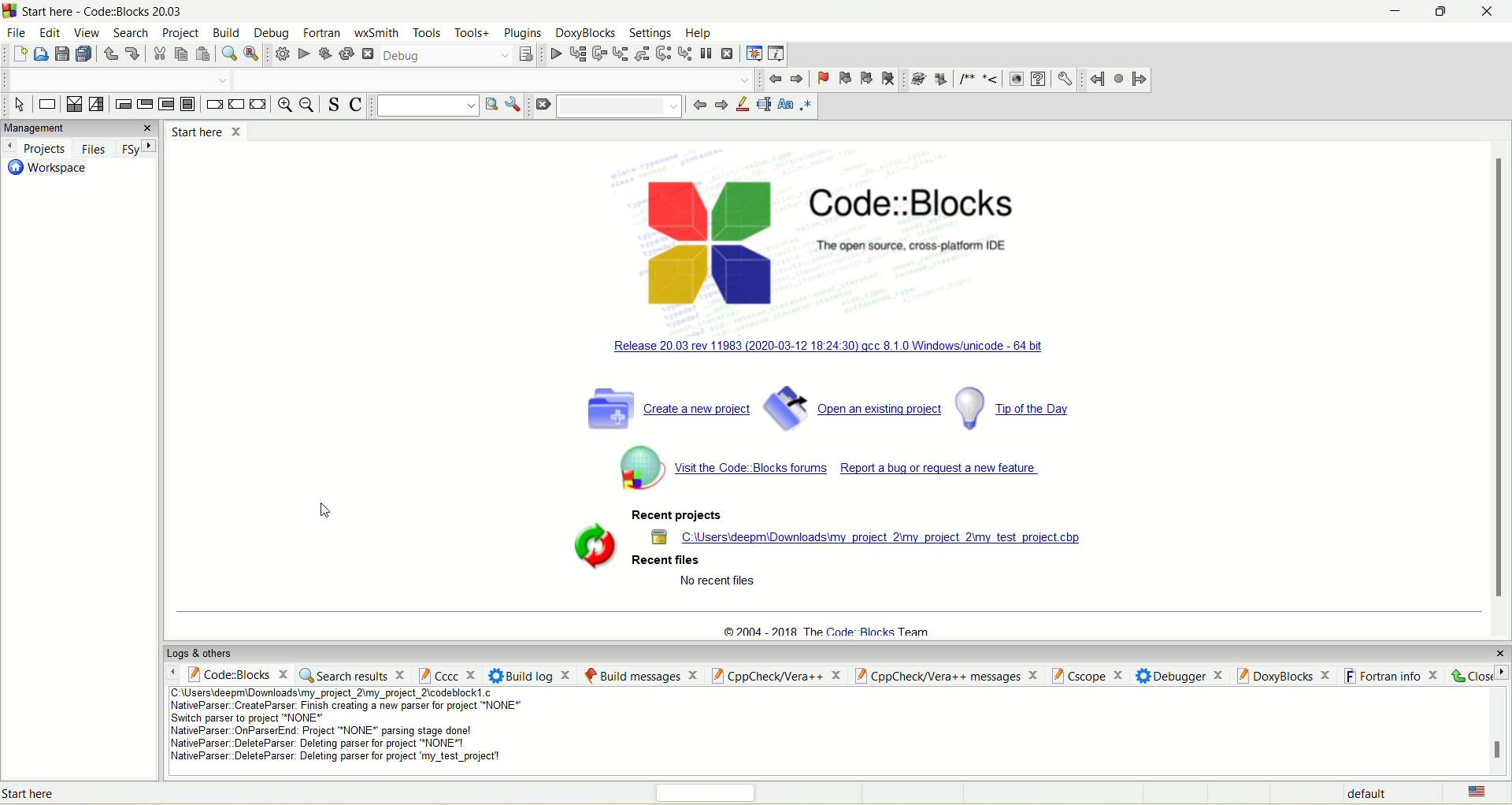 The width and height of the screenshot is (1512, 805). I want to click on build and run, so click(324, 52).